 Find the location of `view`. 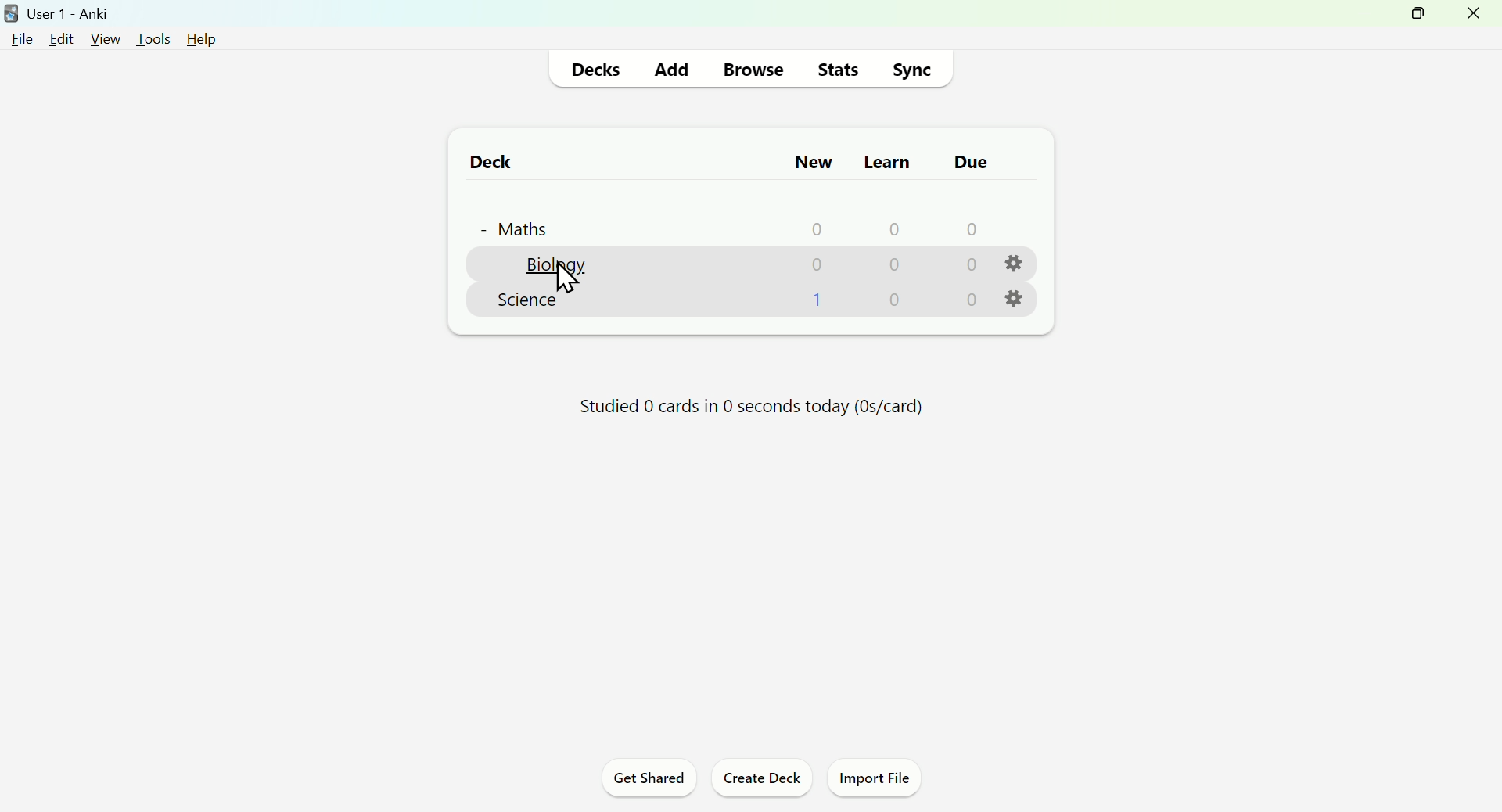

view is located at coordinates (104, 39).